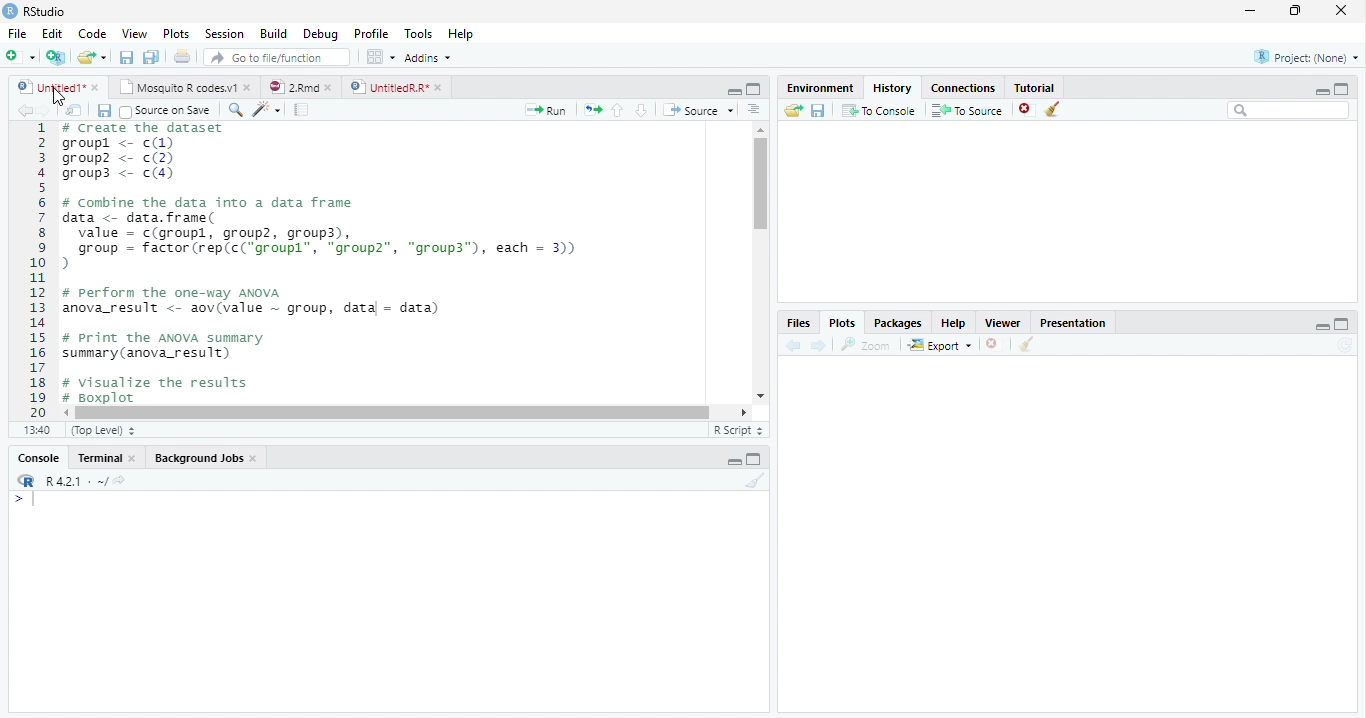 This screenshot has height=718, width=1366. What do you see at coordinates (39, 271) in the screenshot?
I see `1 2 3 4 5 6 7 8 9 10....` at bounding box center [39, 271].